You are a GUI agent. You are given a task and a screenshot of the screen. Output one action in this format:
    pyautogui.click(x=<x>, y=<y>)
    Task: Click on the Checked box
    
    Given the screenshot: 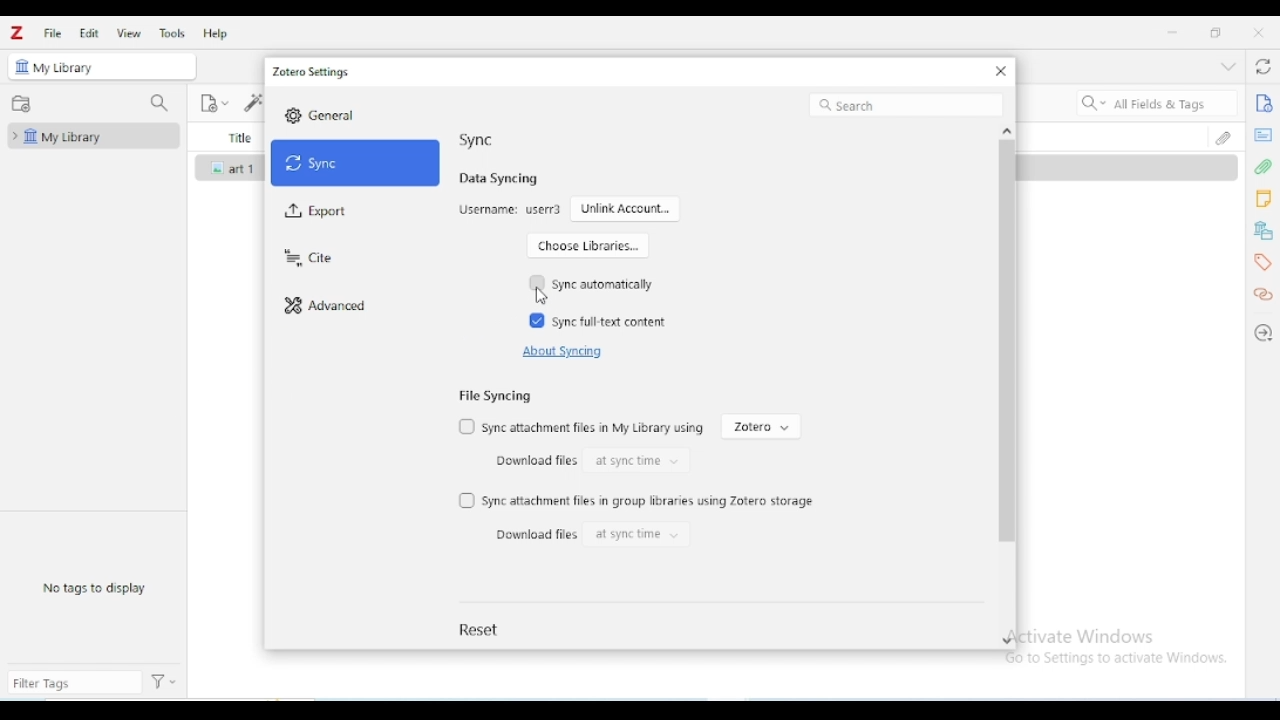 What is the action you would take?
    pyautogui.click(x=537, y=320)
    